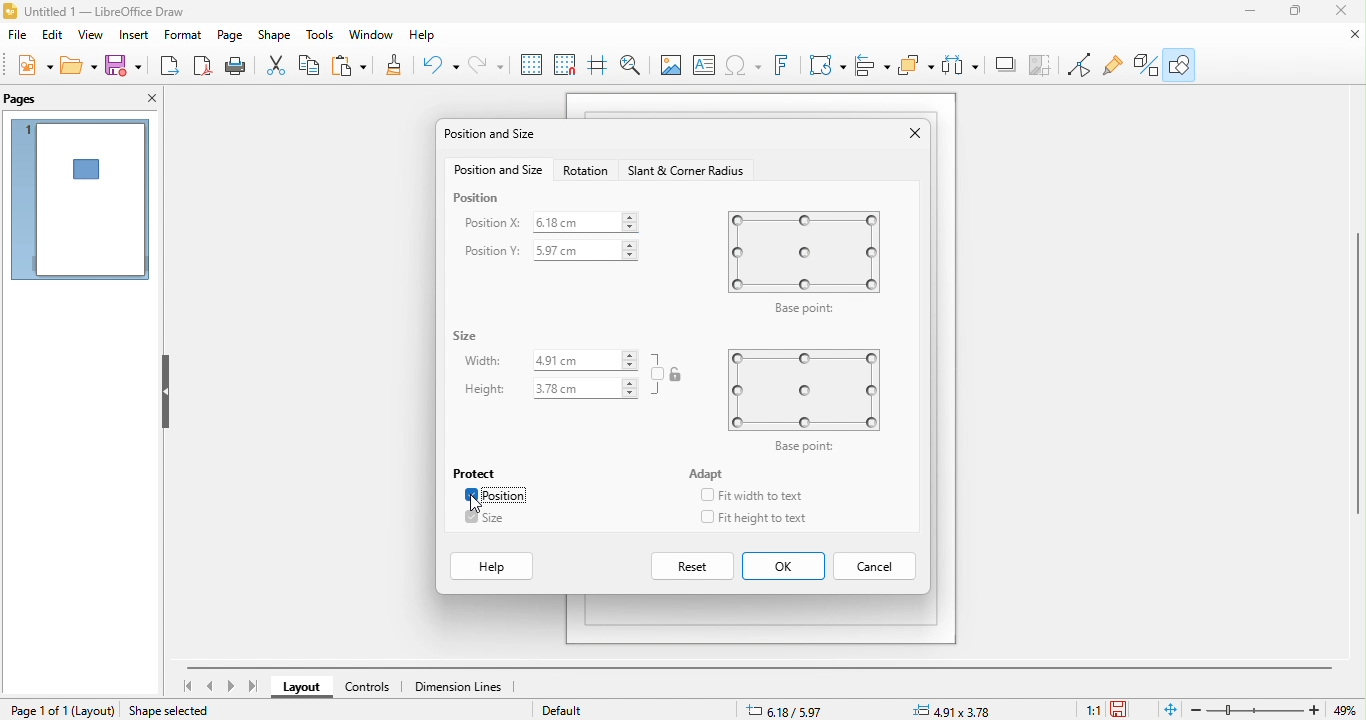 This screenshot has width=1366, height=720. Describe the element at coordinates (80, 199) in the screenshot. I see `page 1` at that location.